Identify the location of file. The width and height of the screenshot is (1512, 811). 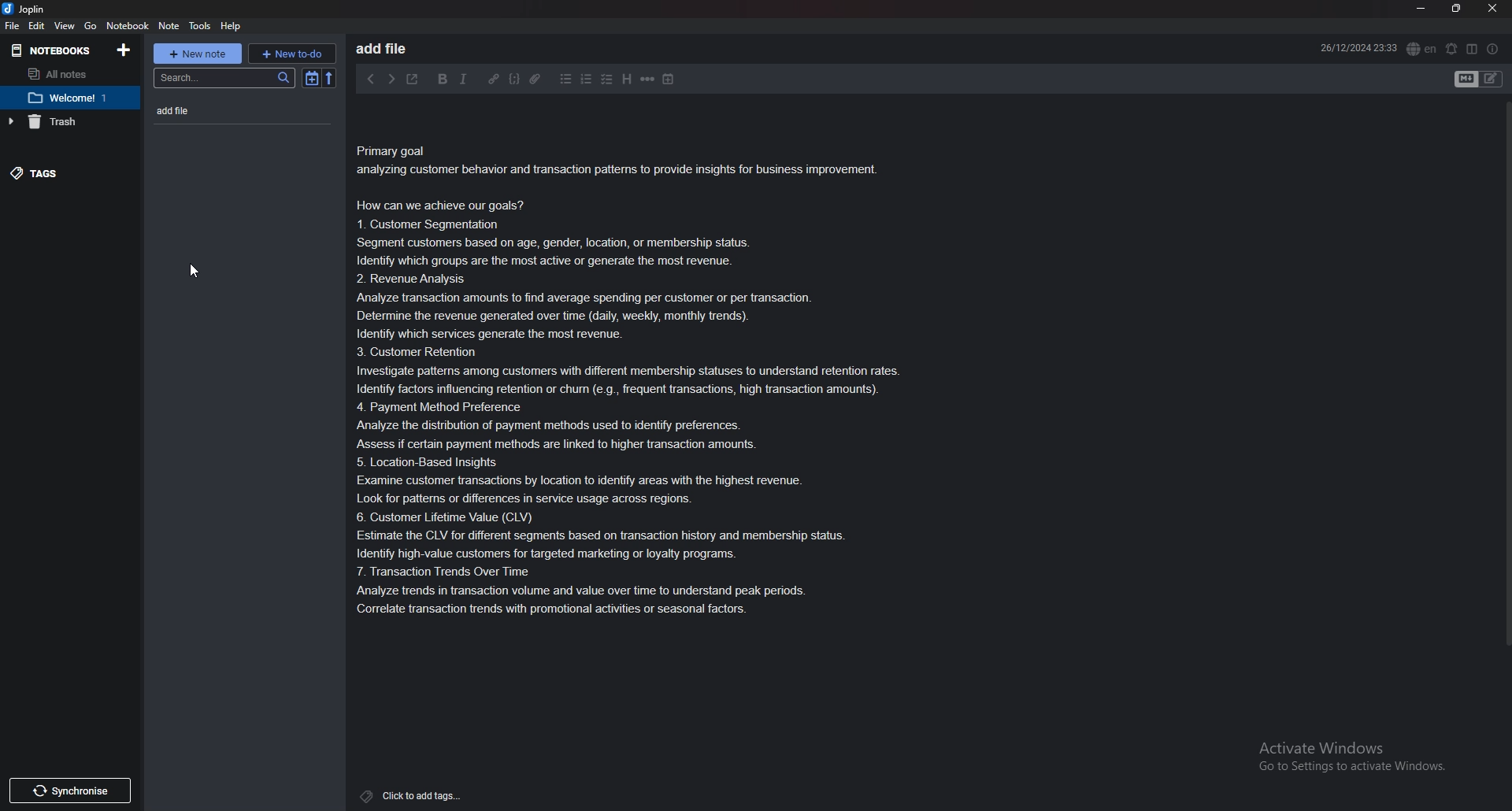
(13, 26).